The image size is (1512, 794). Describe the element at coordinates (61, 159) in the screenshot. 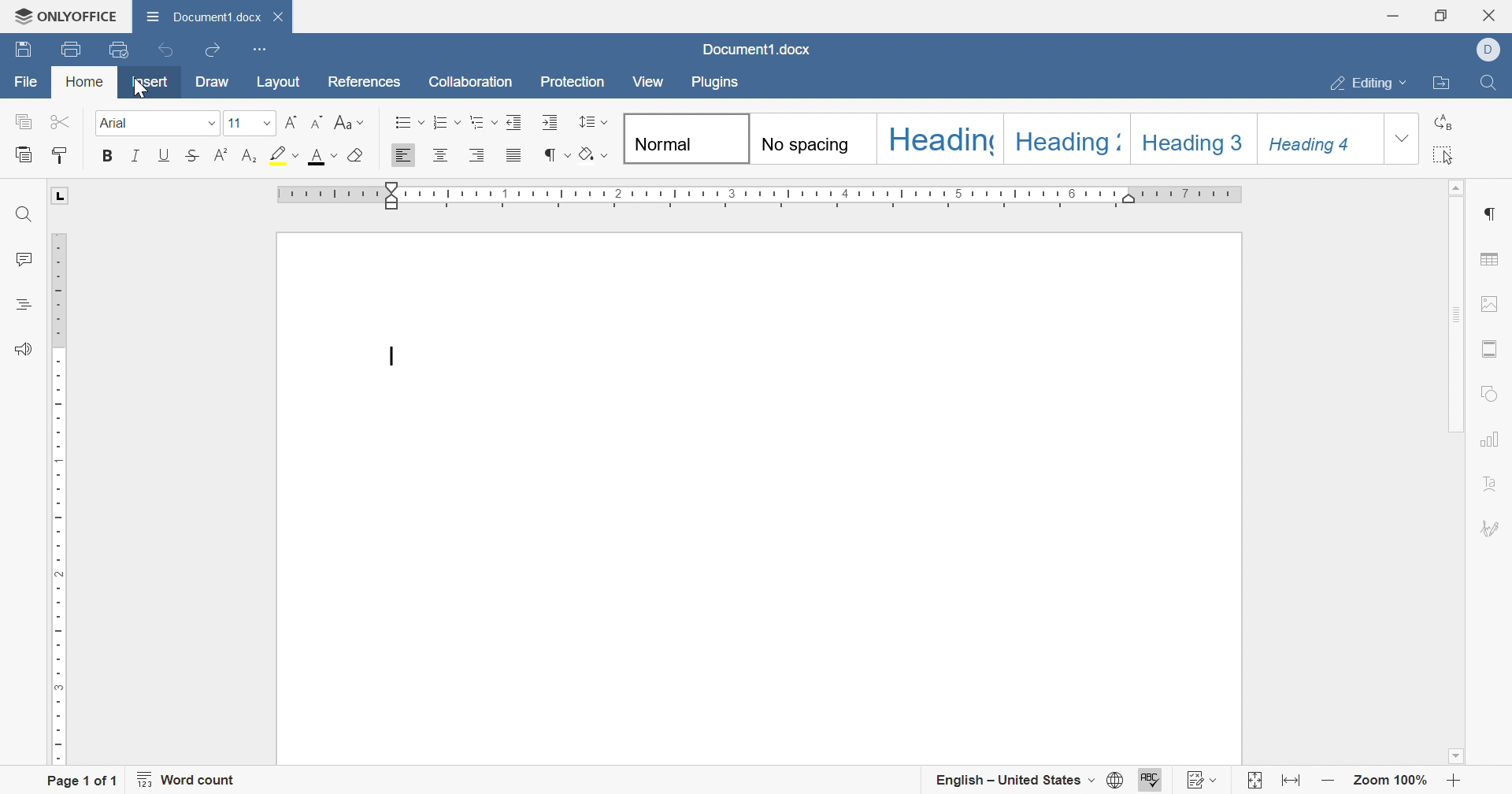

I see `Copy Style` at that location.